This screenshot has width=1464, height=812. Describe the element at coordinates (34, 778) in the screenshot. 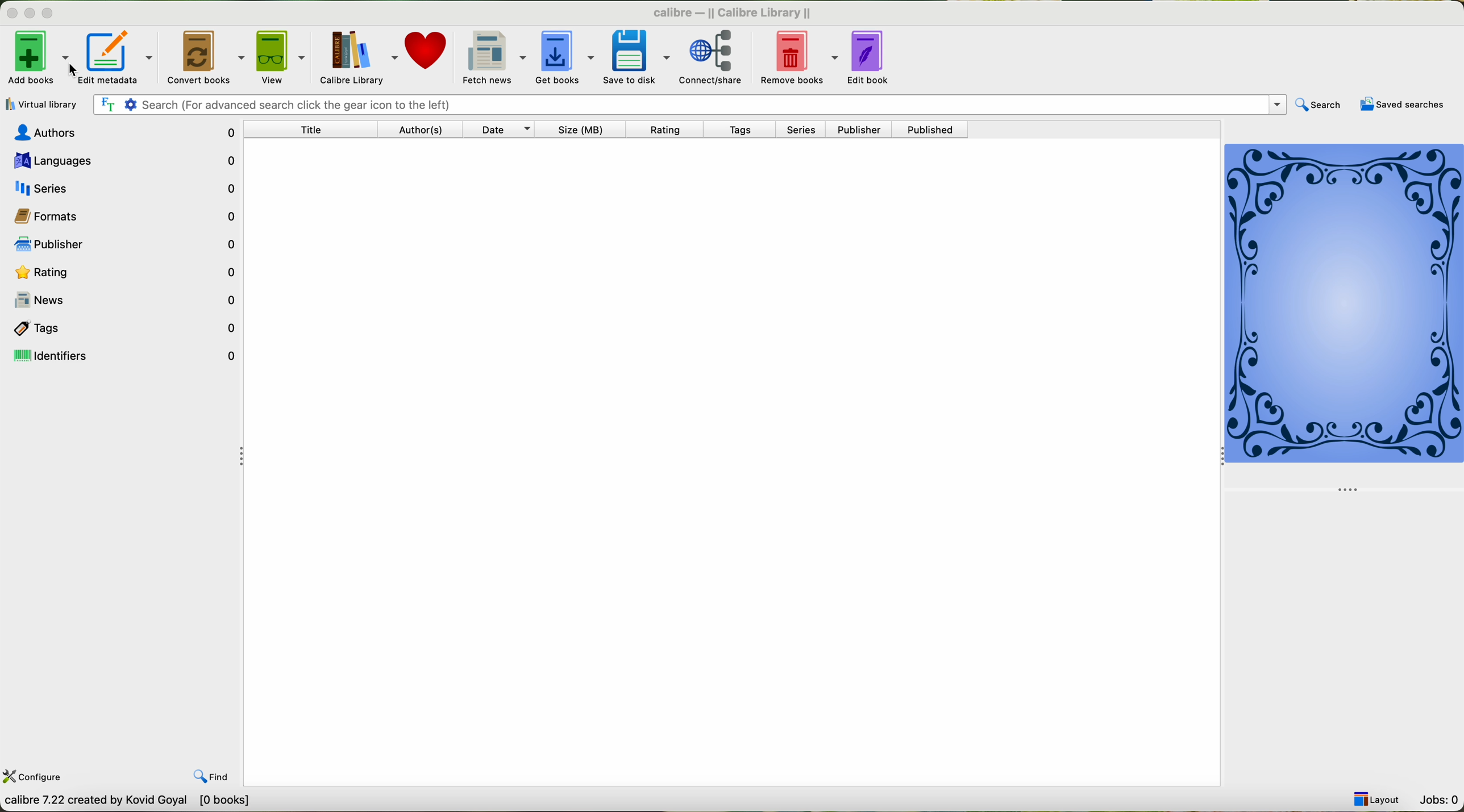

I see `configure` at that location.